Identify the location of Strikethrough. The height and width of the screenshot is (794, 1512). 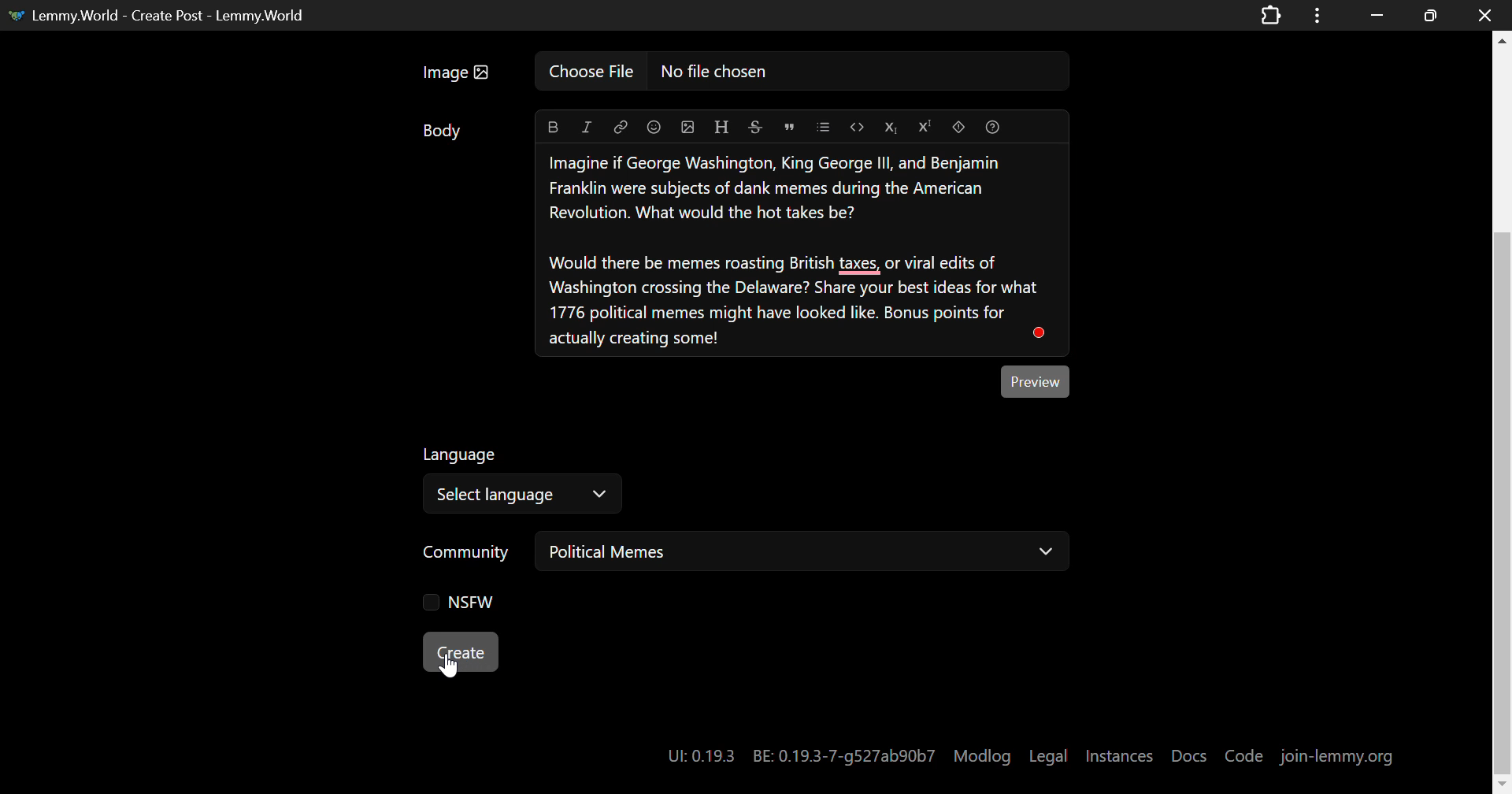
(755, 128).